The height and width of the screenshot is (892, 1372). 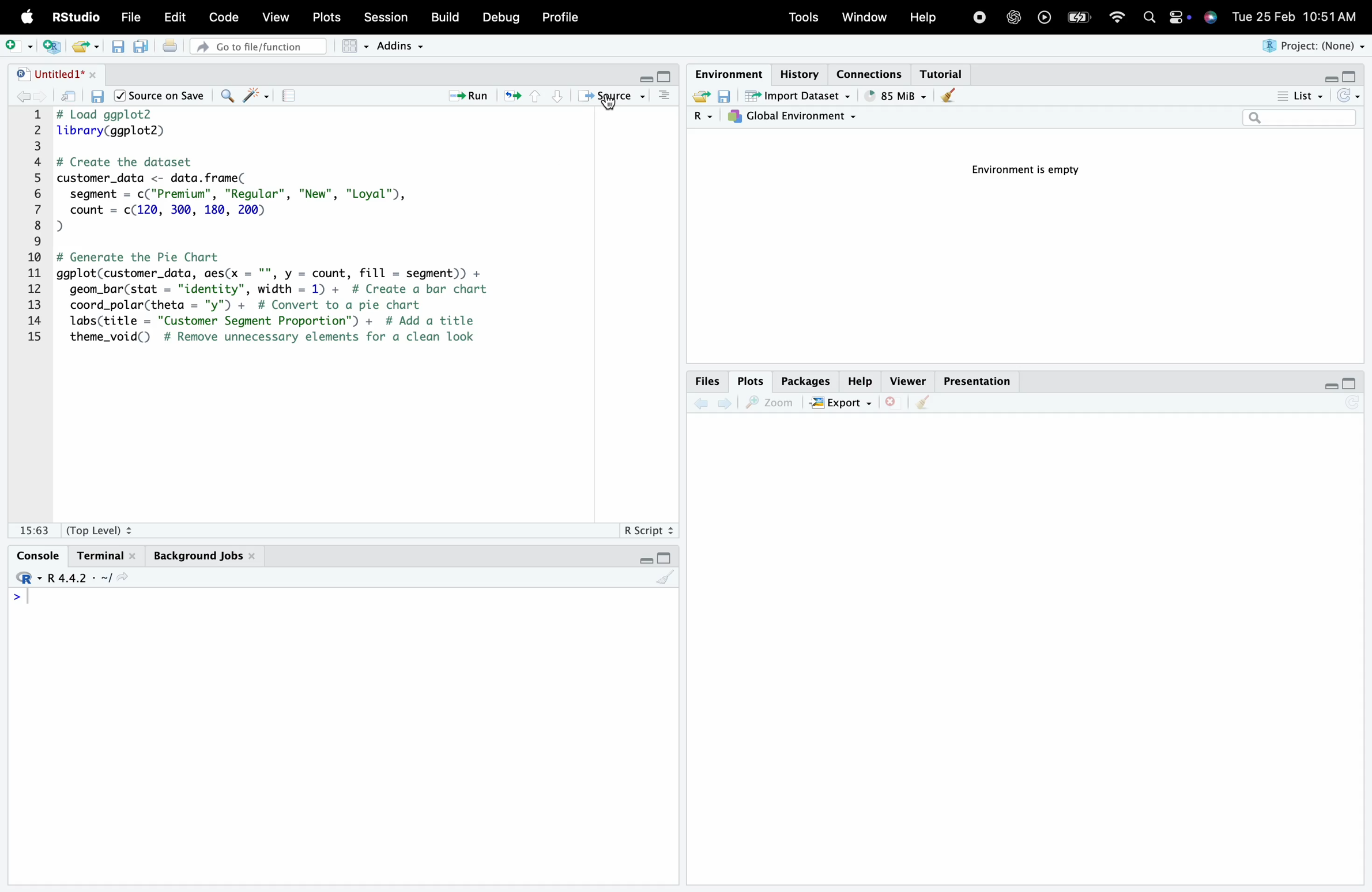 What do you see at coordinates (803, 17) in the screenshot?
I see `Tools` at bounding box center [803, 17].